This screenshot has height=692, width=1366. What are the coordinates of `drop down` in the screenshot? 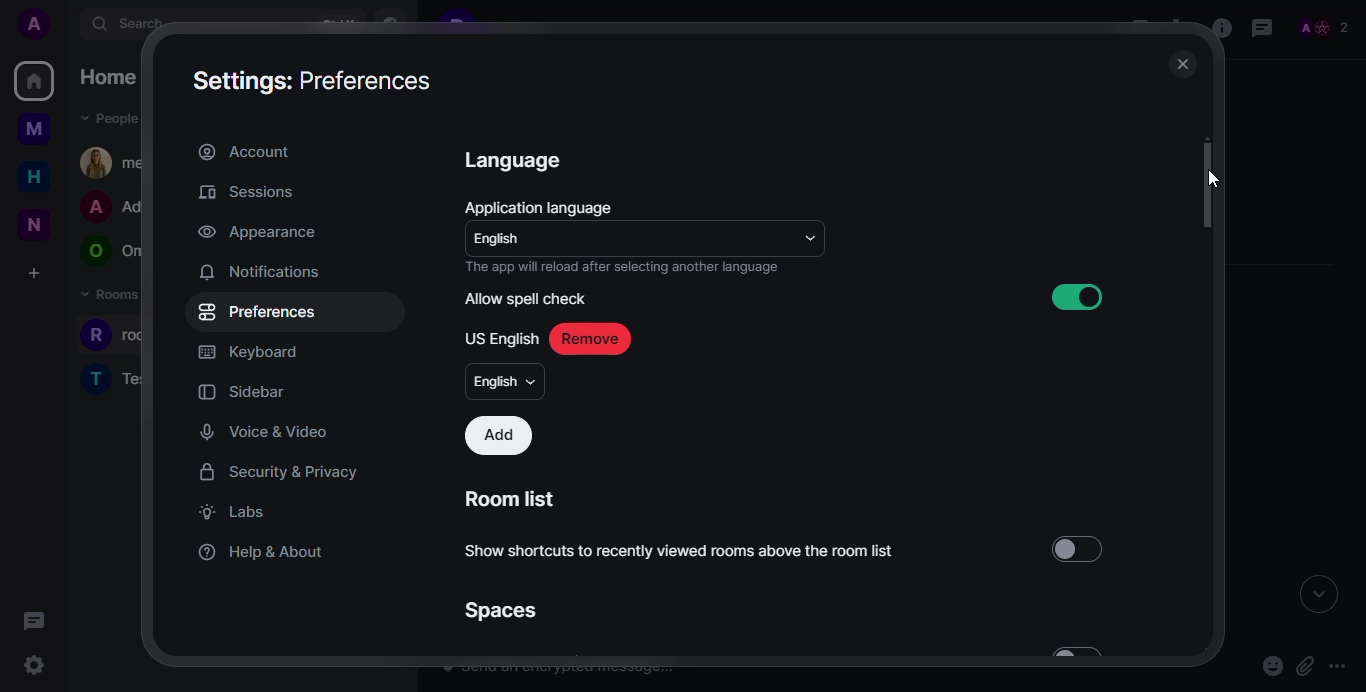 It's located at (810, 236).